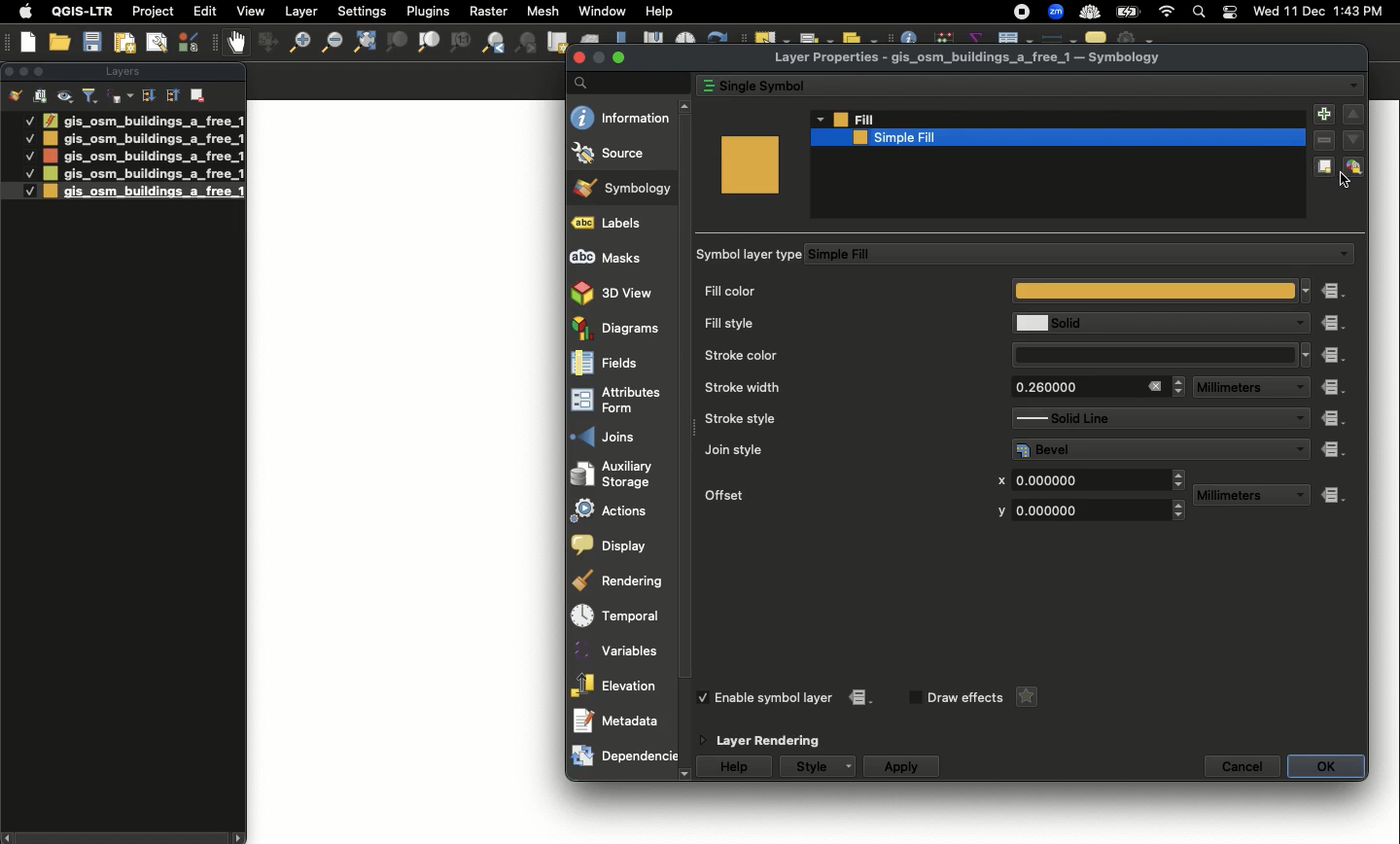 This screenshot has width=1400, height=844. Describe the element at coordinates (687, 107) in the screenshot. I see `up` at that location.